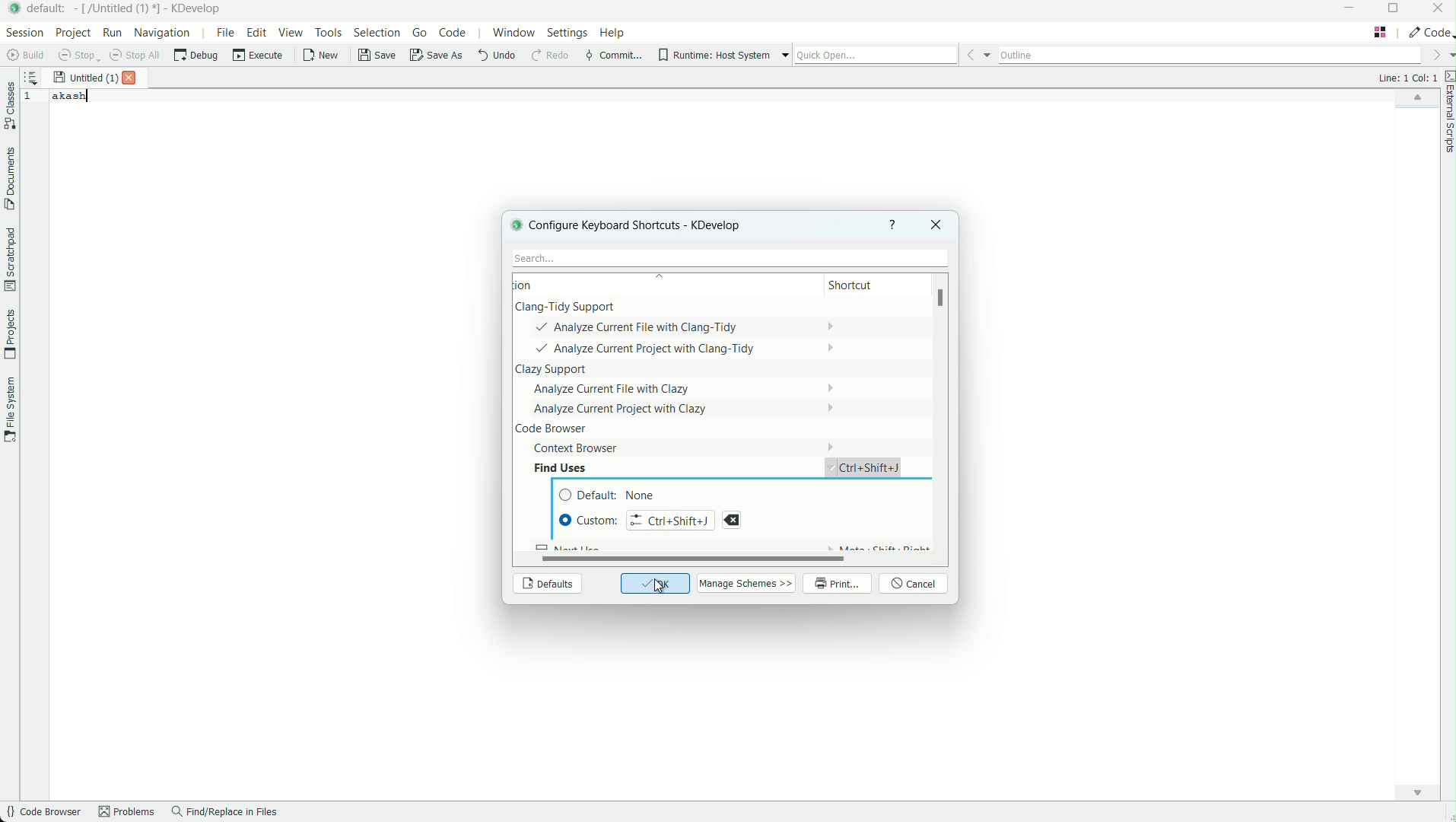 Image resolution: width=1456 pixels, height=822 pixels. Describe the element at coordinates (613, 495) in the screenshot. I see `default` at that location.